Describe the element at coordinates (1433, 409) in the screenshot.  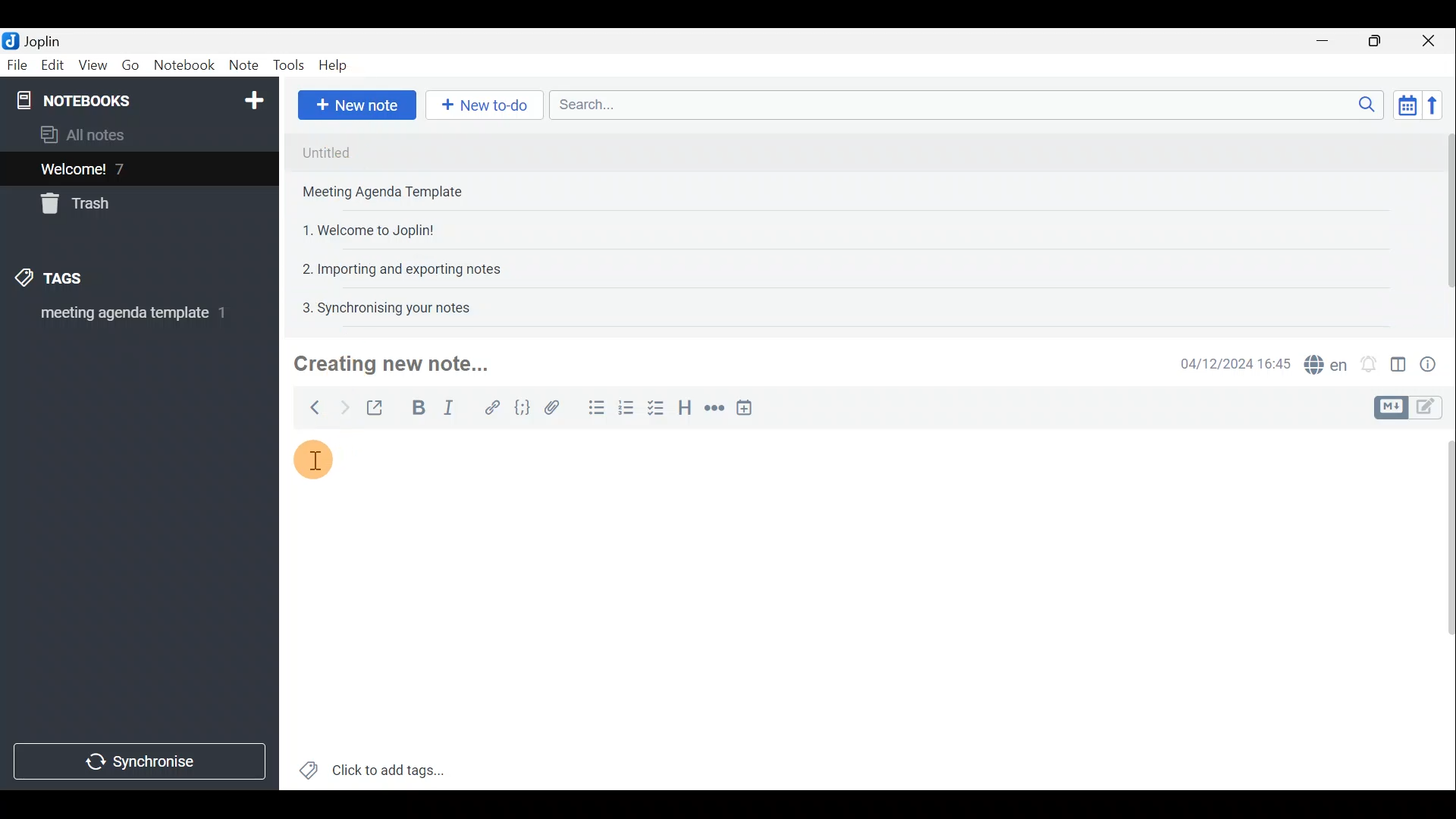
I see `Toggle editors` at that location.